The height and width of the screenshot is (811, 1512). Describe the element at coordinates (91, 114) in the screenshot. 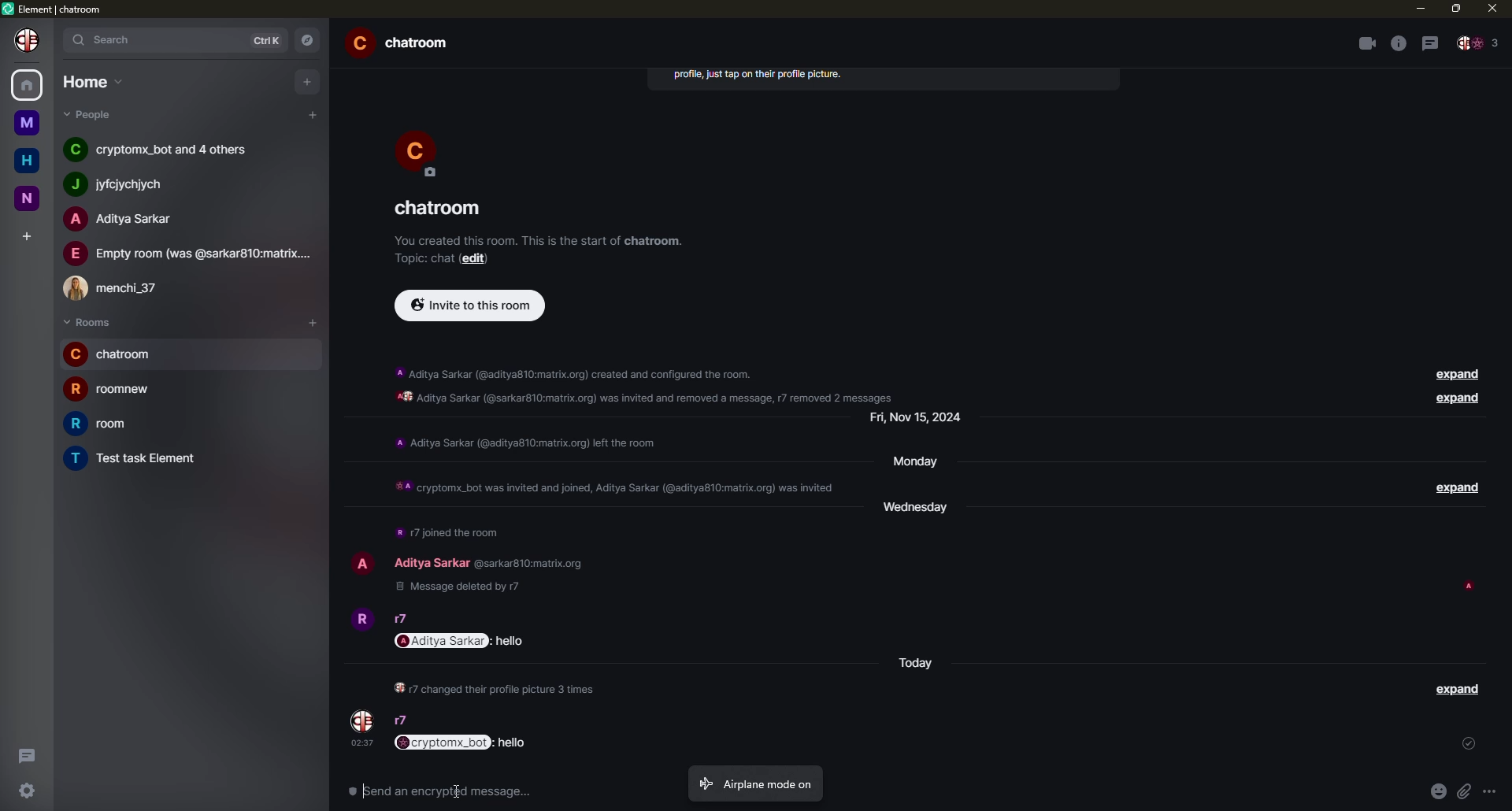

I see `people` at that location.